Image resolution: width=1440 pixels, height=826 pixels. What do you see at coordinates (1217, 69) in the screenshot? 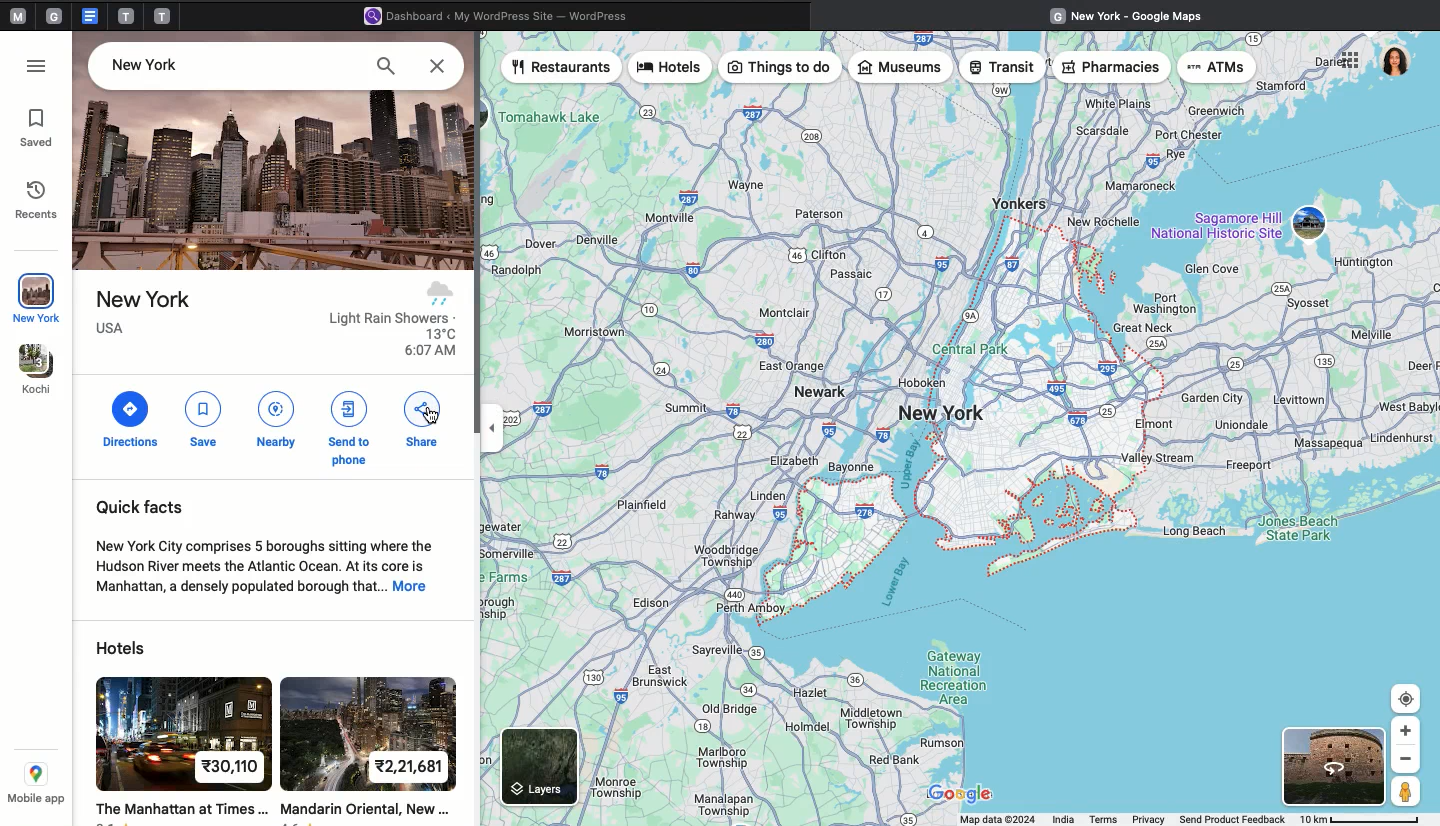
I see `ATMs` at bounding box center [1217, 69].